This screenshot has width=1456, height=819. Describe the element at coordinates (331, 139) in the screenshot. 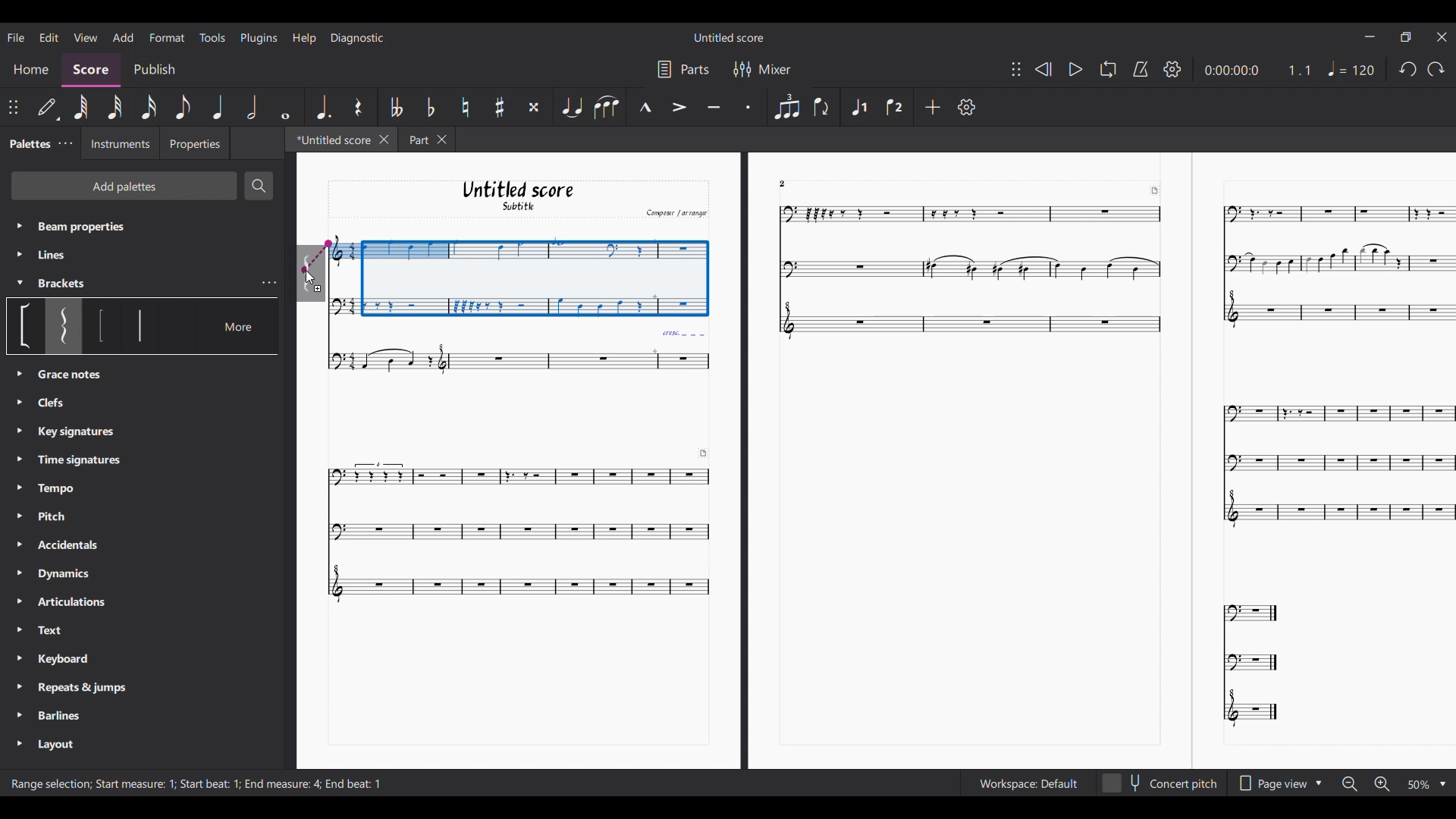

I see `Current tab` at that location.